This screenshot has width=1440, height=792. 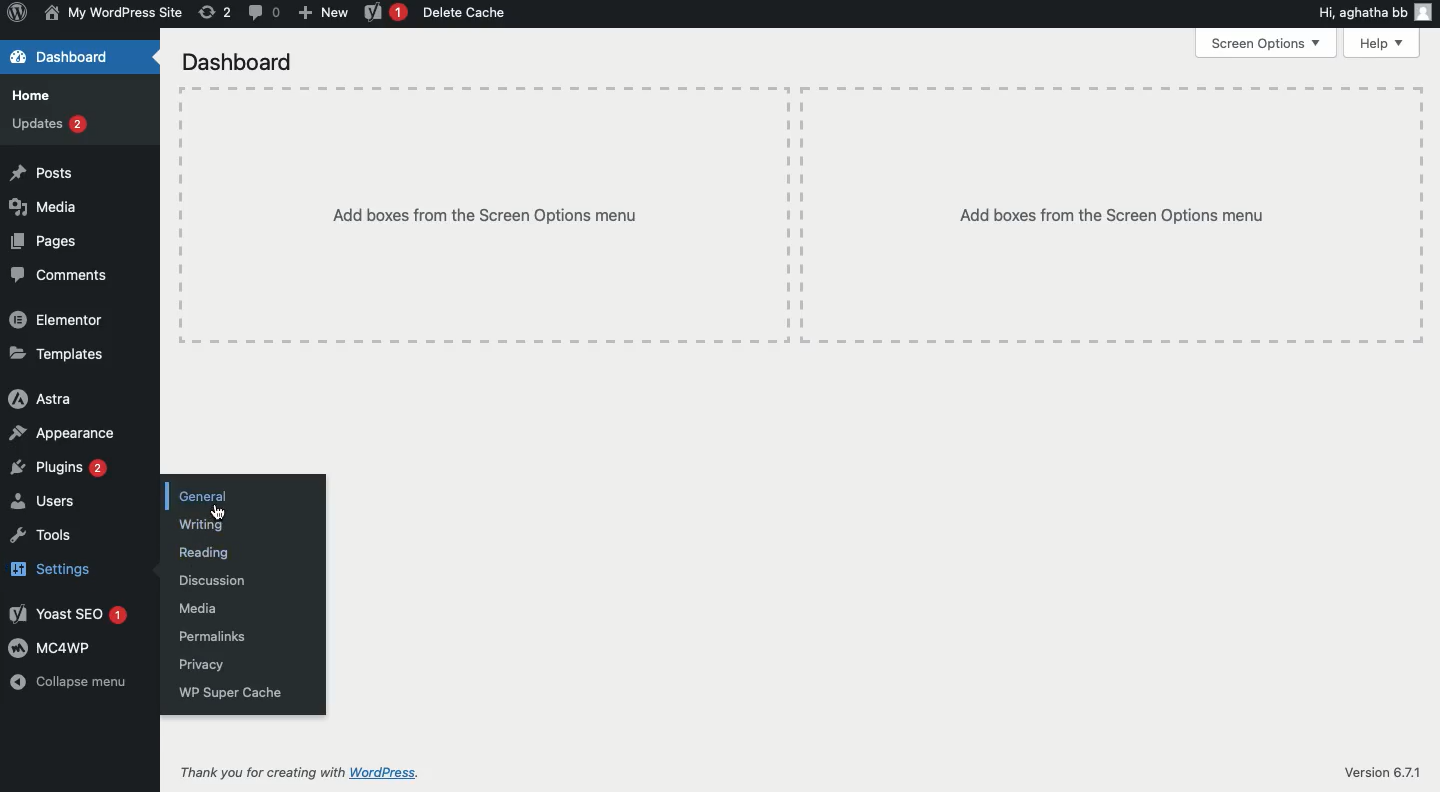 I want to click on Writing, so click(x=204, y=527).